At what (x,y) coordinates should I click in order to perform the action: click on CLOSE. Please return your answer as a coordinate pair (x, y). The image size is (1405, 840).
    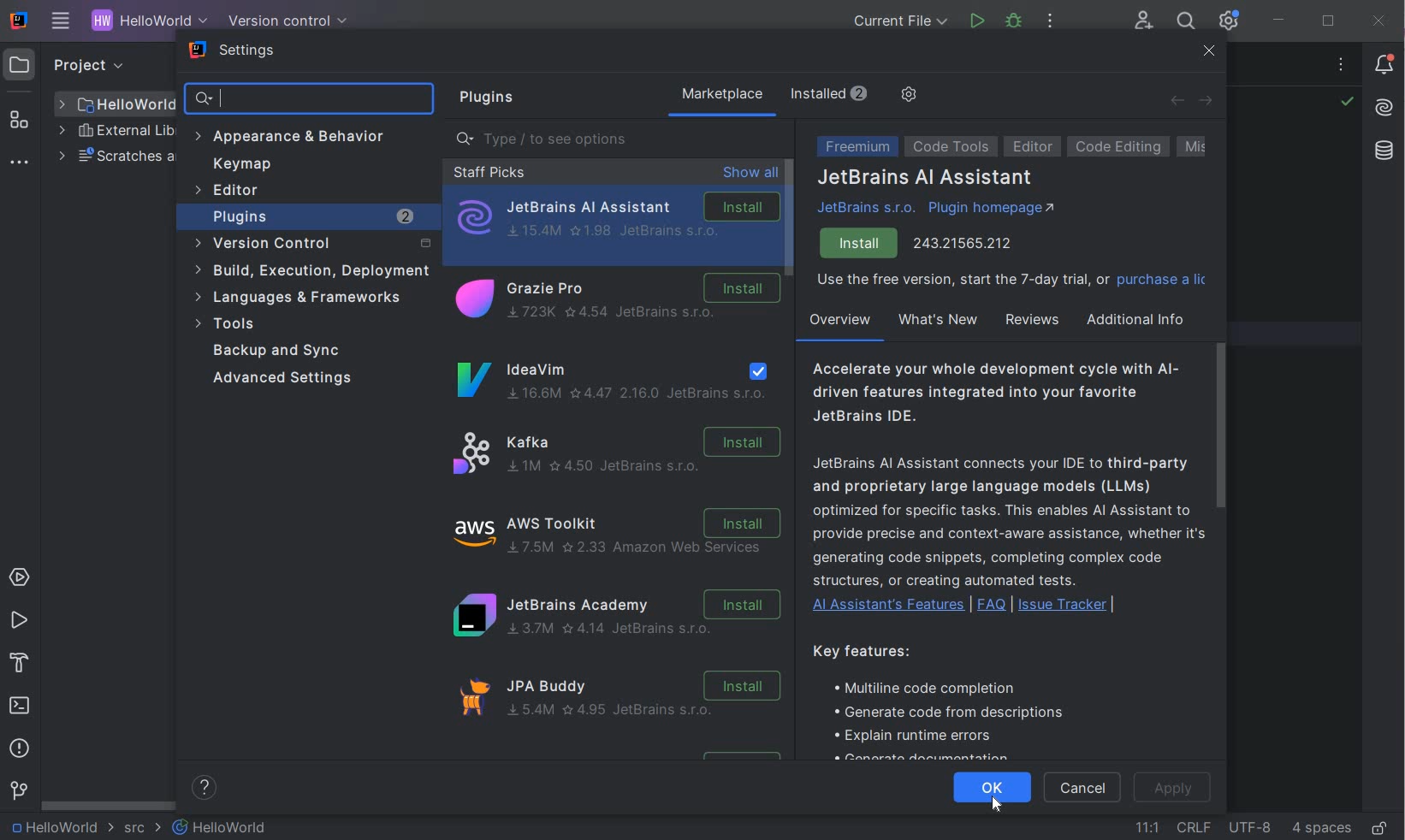
    Looking at the image, I should click on (1379, 21).